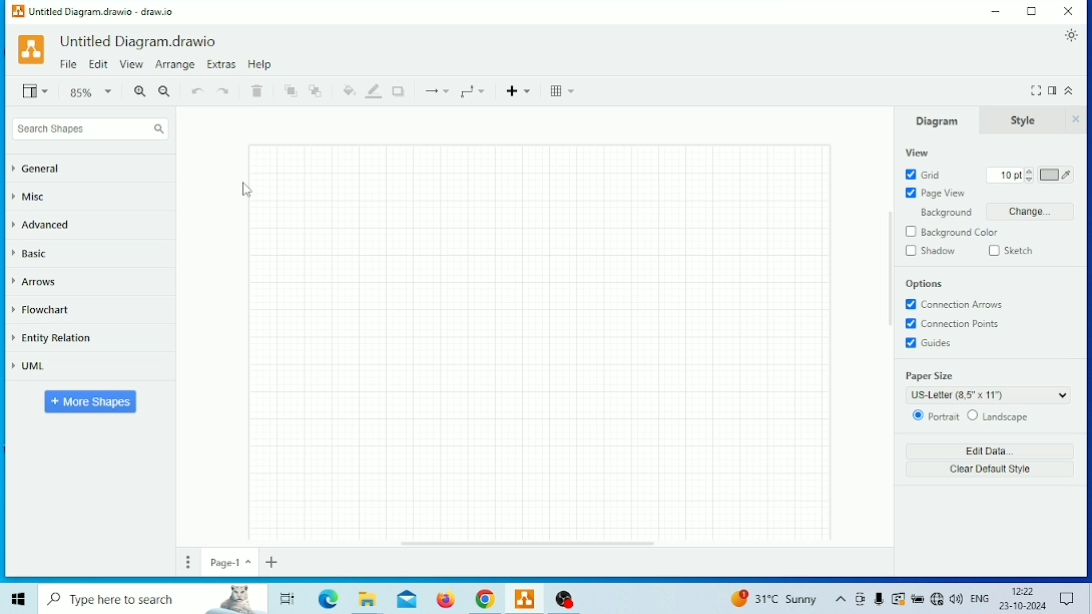 This screenshot has height=614, width=1092. Describe the element at coordinates (89, 128) in the screenshot. I see `Search shapes` at that location.